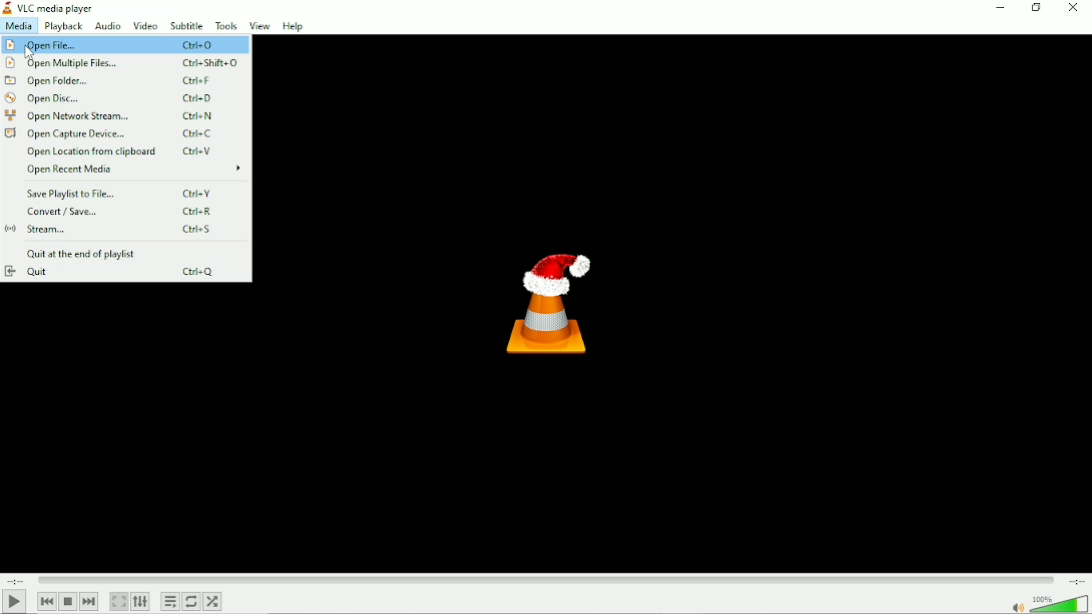 This screenshot has width=1092, height=614. I want to click on Tools, so click(227, 26).